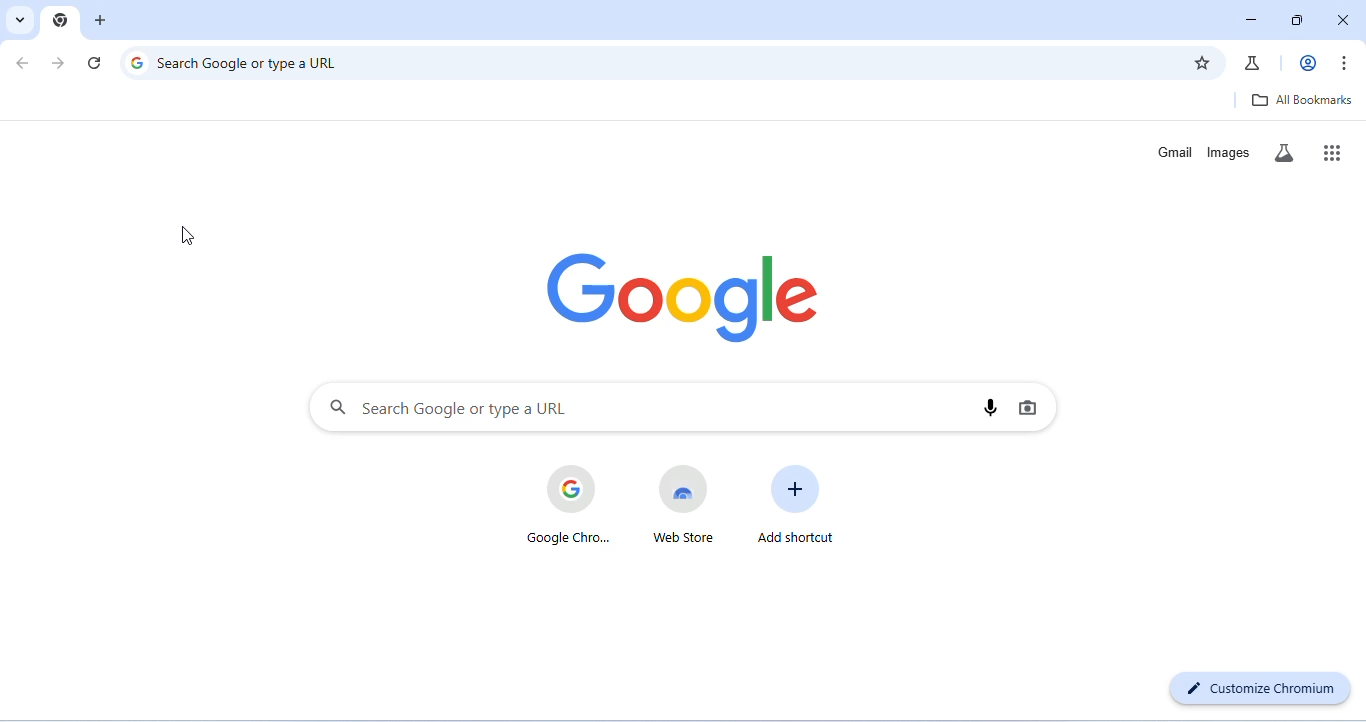  Describe the element at coordinates (1174, 151) in the screenshot. I see `gmail` at that location.